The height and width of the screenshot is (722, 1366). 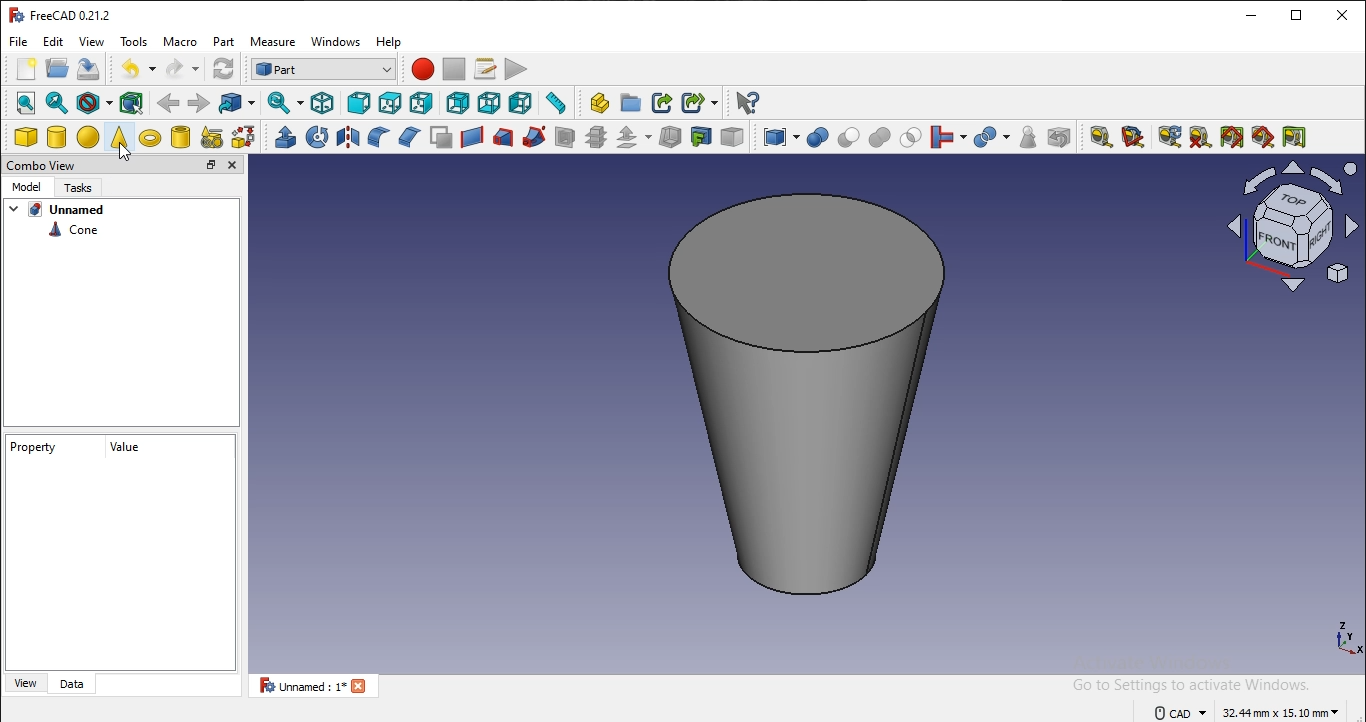 What do you see at coordinates (736, 137) in the screenshot?
I see `color per face` at bounding box center [736, 137].